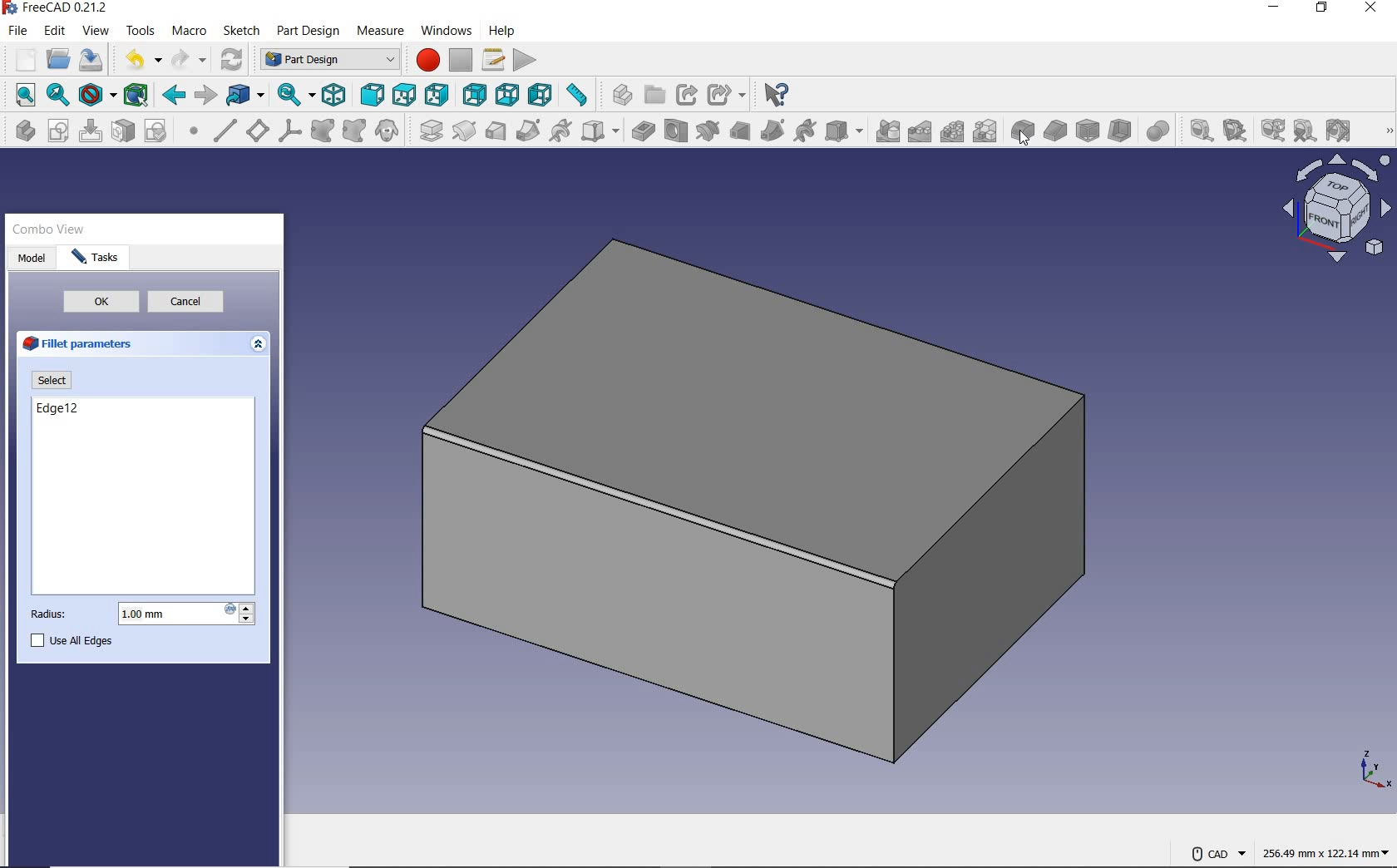 The image size is (1397, 868). What do you see at coordinates (918, 131) in the screenshot?
I see `linearpattern` at bounding box center [918, 131].